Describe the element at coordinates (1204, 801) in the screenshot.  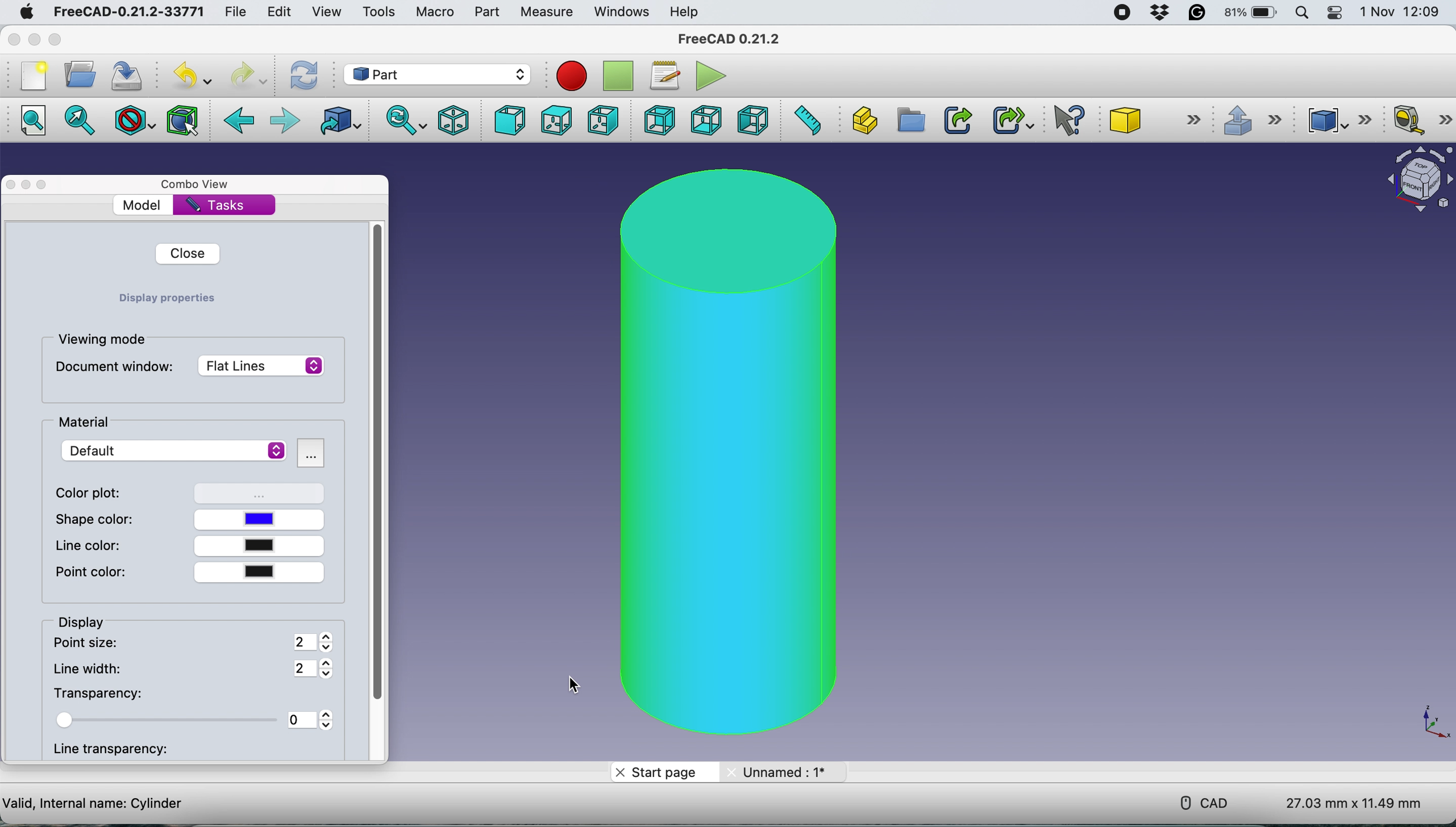
I see `cad` at that location.